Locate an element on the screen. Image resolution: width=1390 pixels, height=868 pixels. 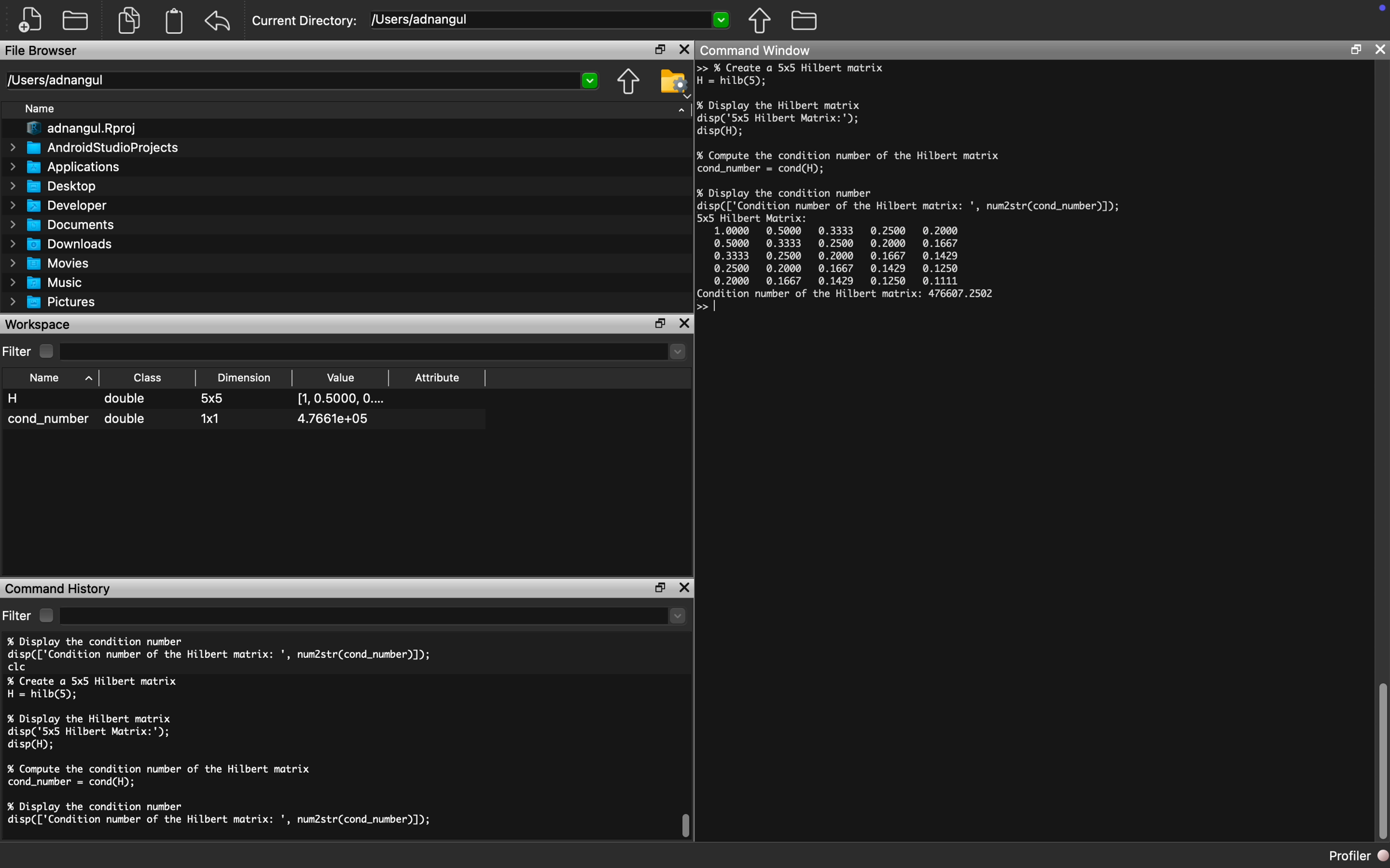
Value is located at coordinates (339, 377).